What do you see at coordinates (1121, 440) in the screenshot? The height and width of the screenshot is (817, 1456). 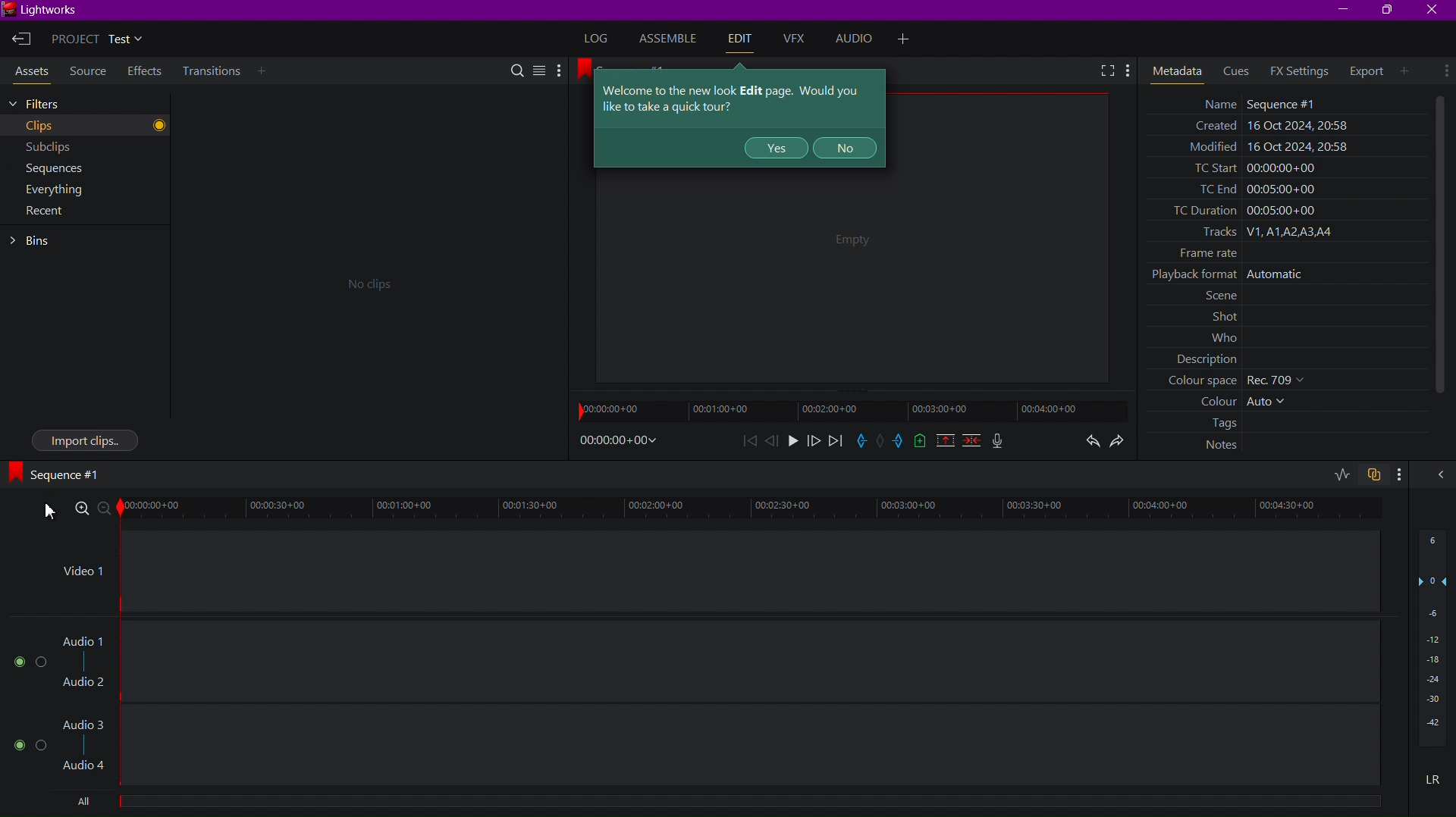 I see `Redo` at bounding box center [1121, 440].